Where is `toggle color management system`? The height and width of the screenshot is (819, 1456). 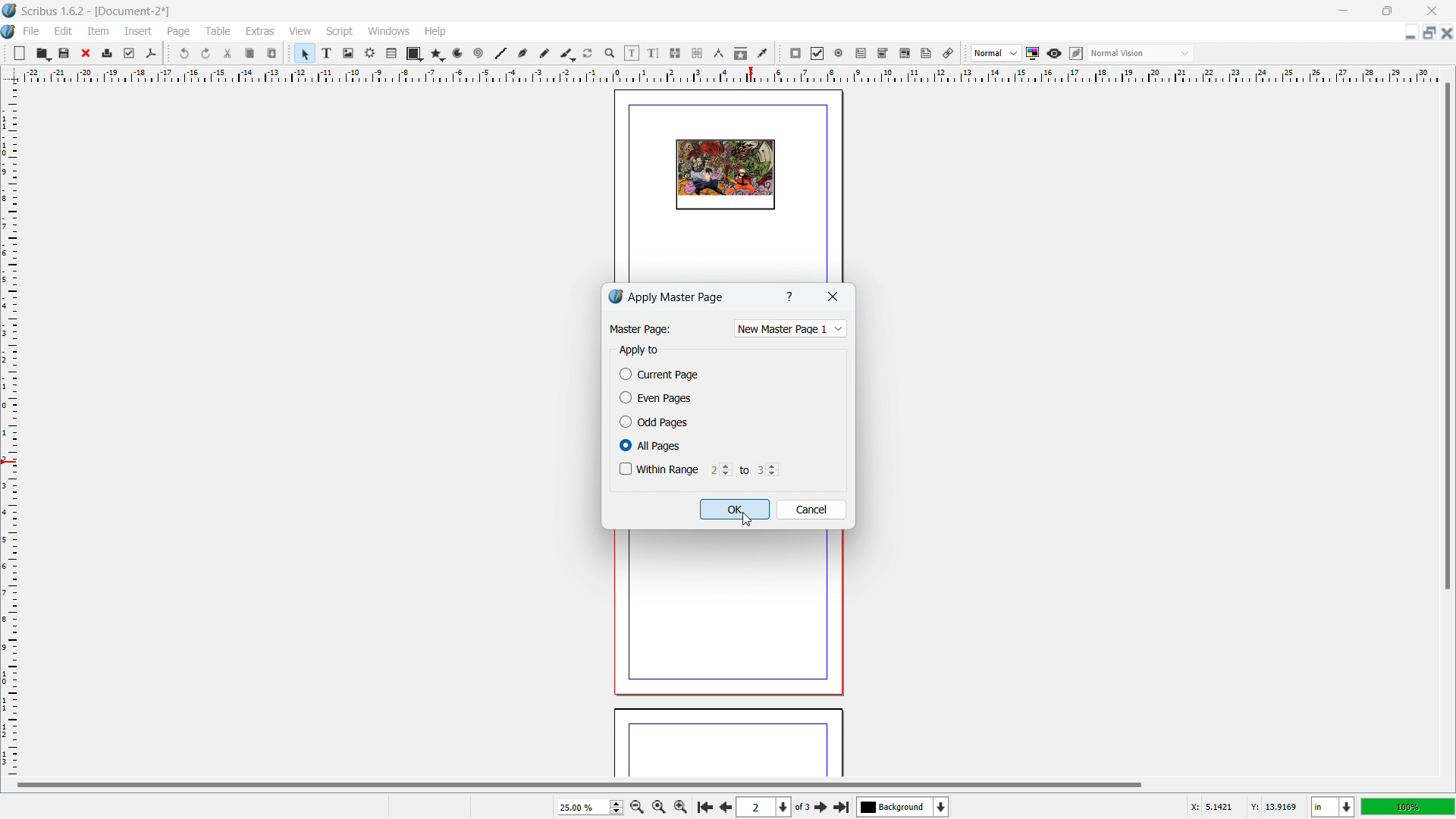 toggle color management system is located at coordinates (1034, 53).